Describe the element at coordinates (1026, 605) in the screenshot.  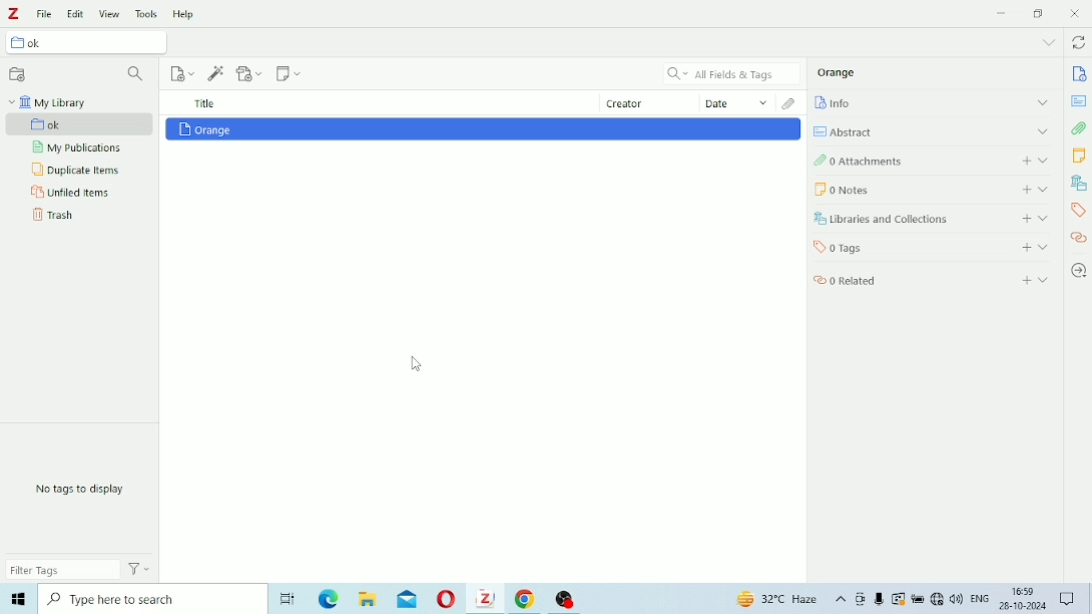
I see `26-10-2024` at that location.